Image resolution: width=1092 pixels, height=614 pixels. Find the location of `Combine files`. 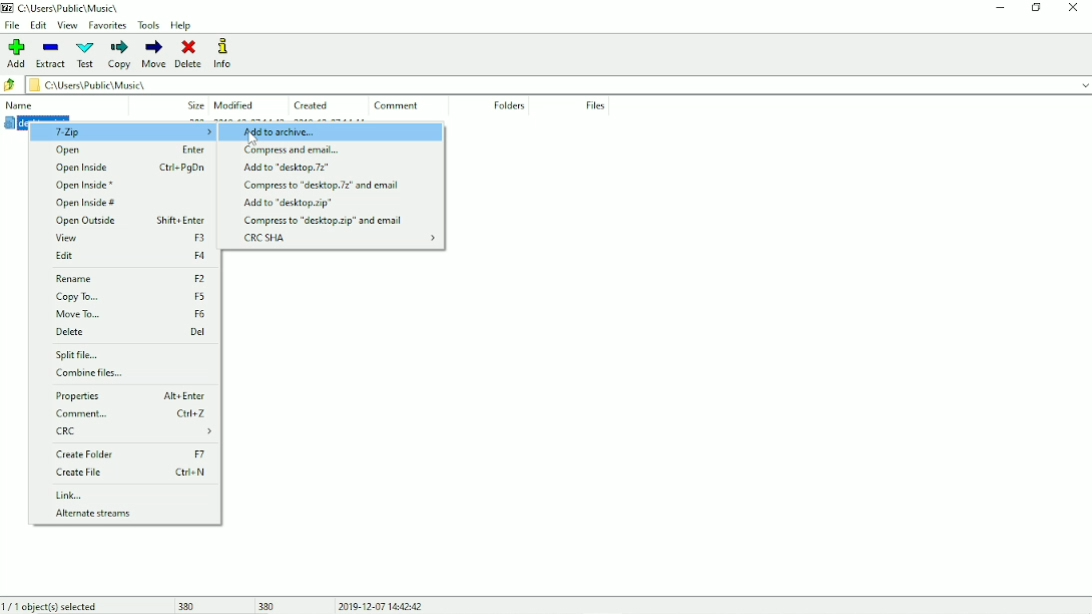

Combine files is located at coordinates (89, 372).